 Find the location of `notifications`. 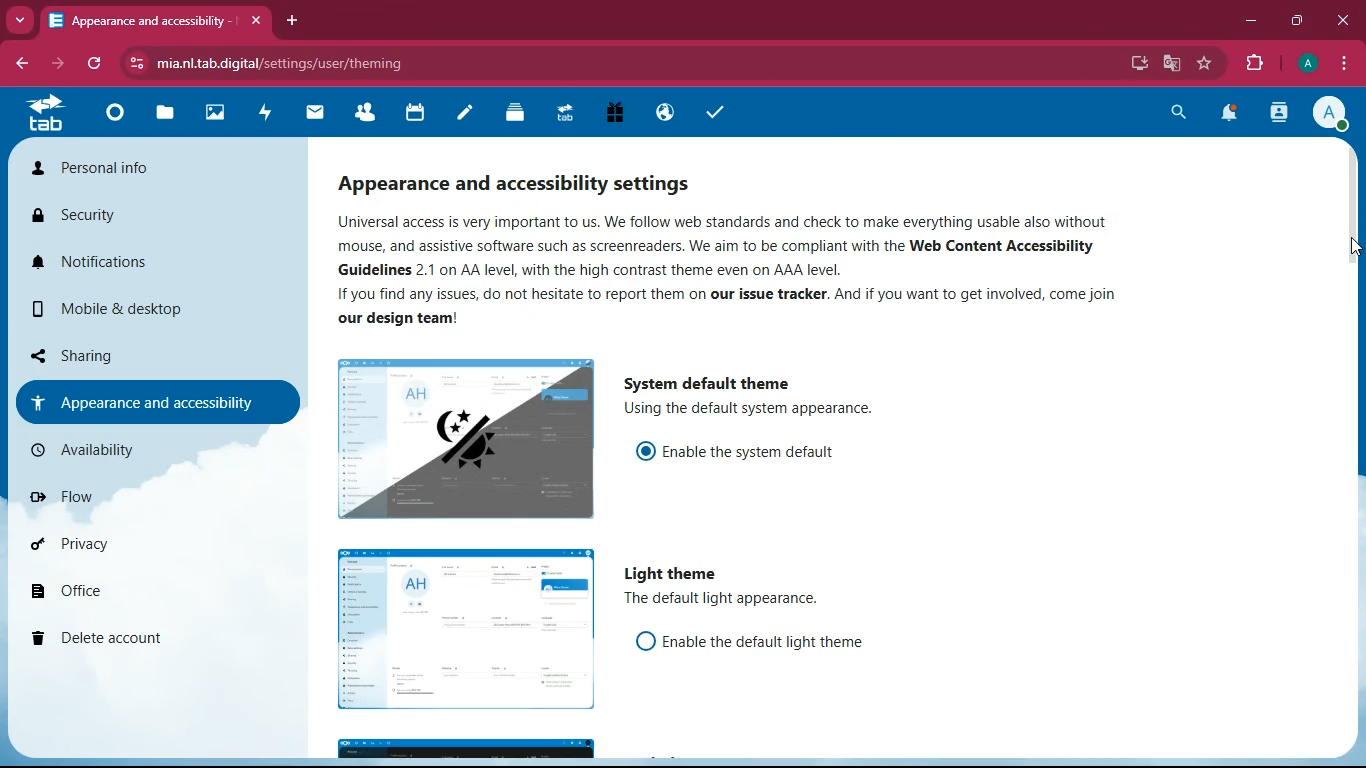

notifications is located at coordinates (1231, 115).